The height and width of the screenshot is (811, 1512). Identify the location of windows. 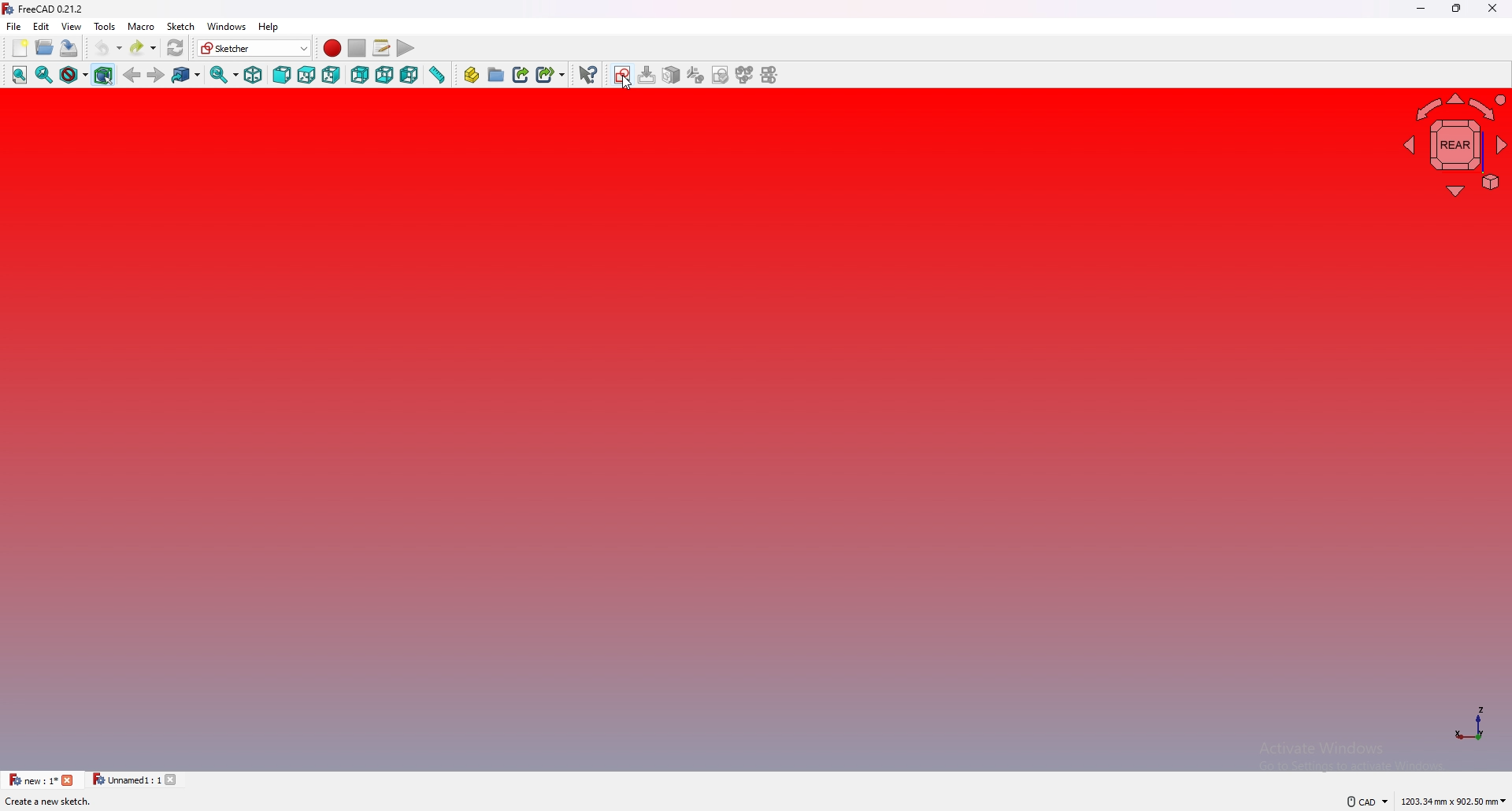
(225, 26).